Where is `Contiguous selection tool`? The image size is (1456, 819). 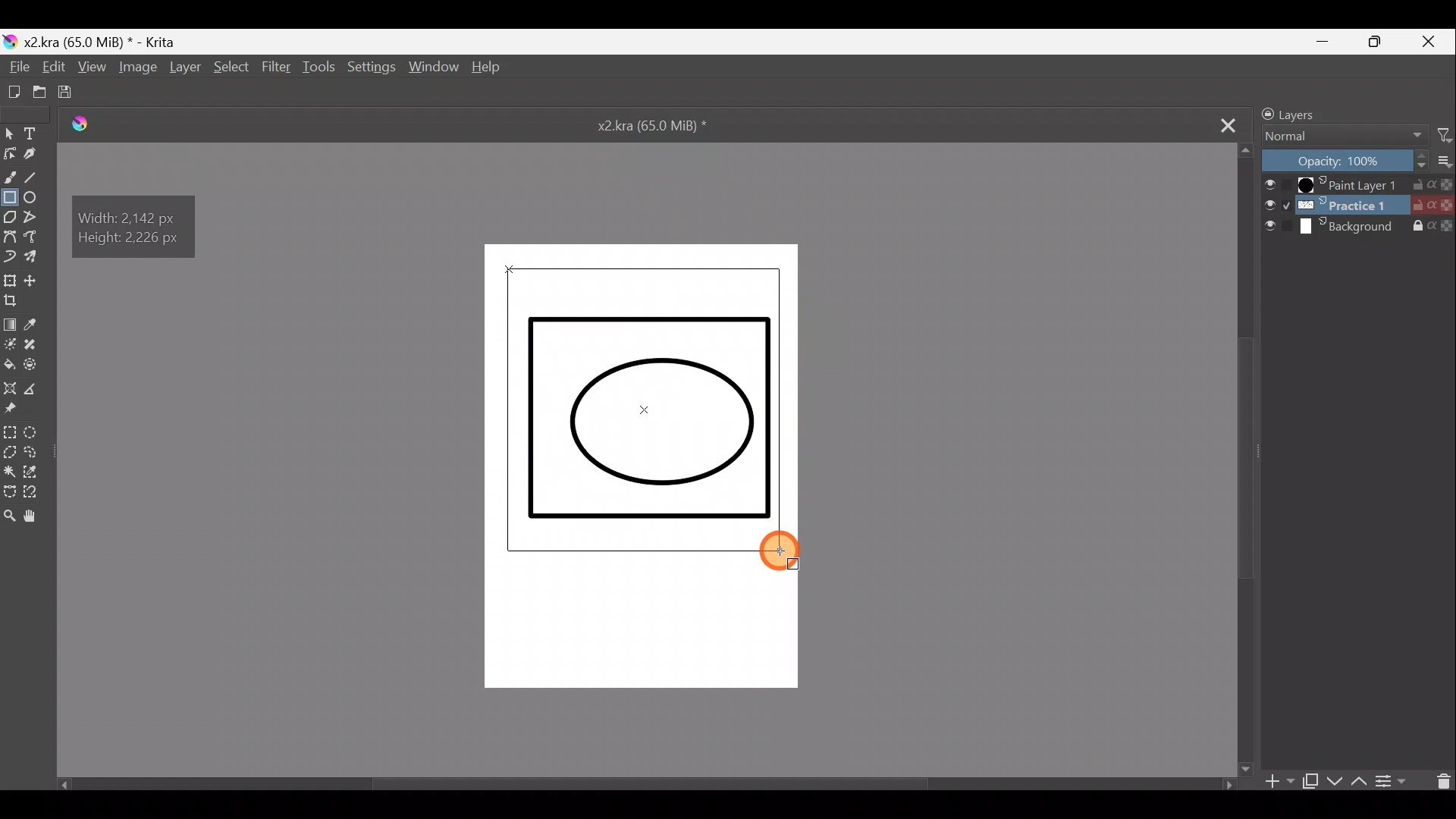 Contiguous selection tool is located at coordinates (10, 473).